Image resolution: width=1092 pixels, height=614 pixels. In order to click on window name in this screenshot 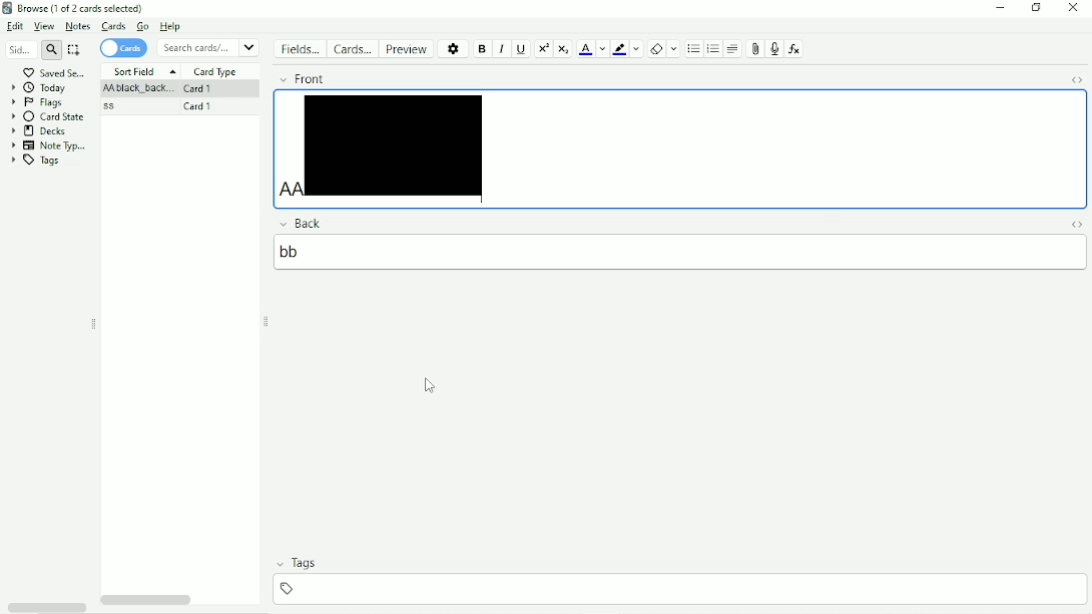, I will do `click(76, 8)`.